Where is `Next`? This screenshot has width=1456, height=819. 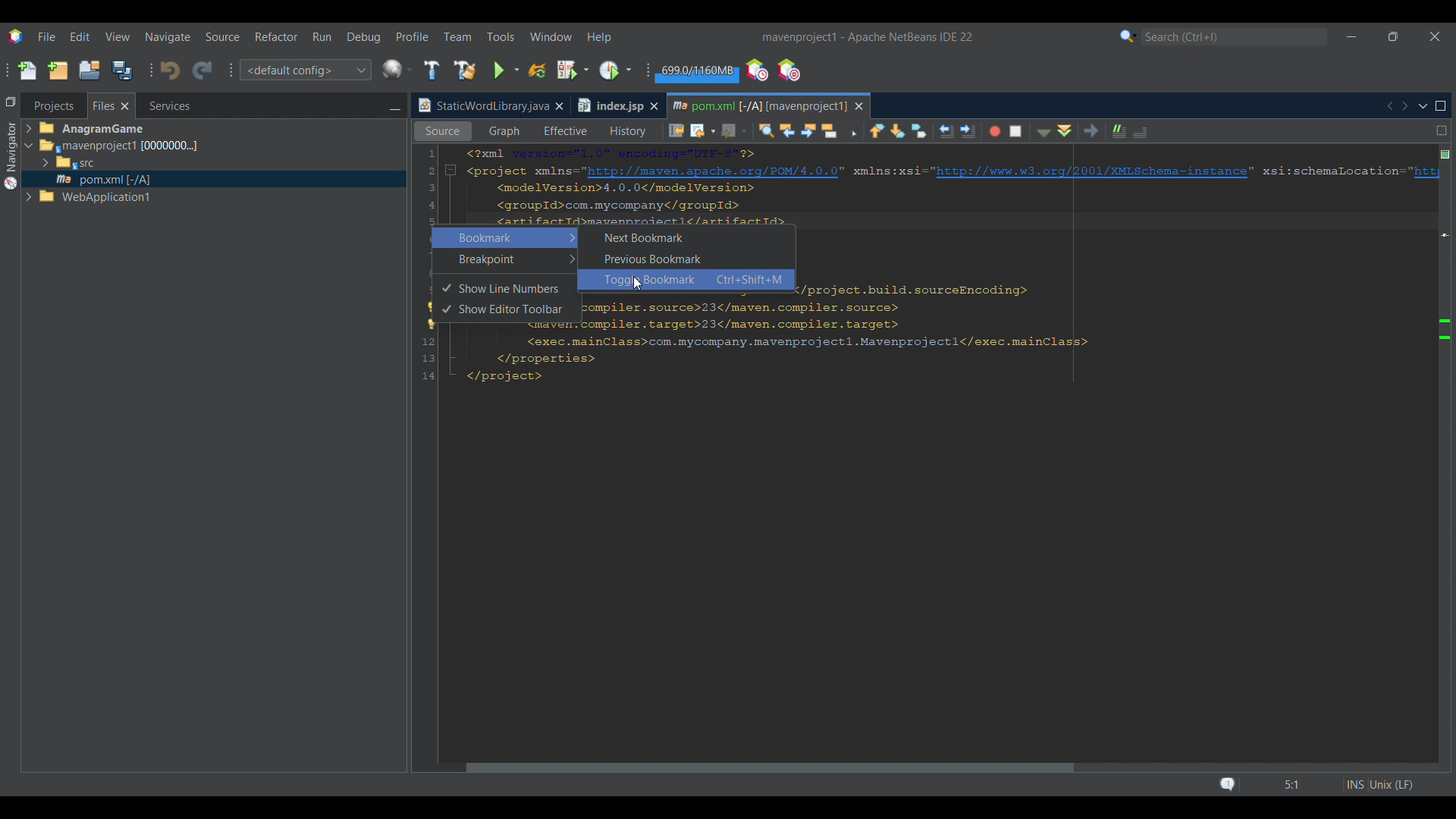
Next is located at coordinates (1404, 105).